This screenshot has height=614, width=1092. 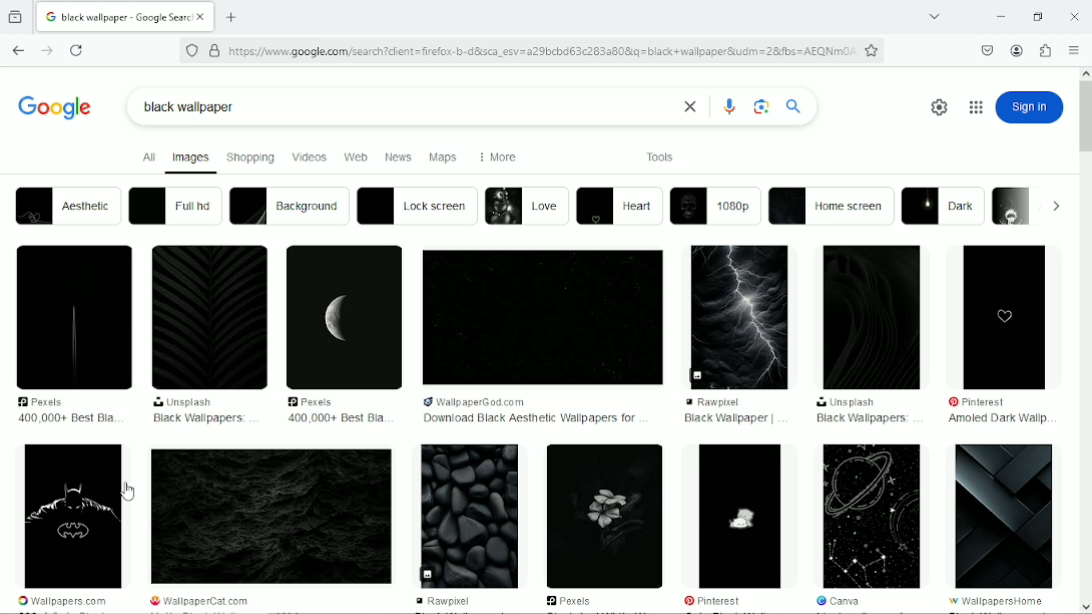 What do you see at coordinates (1085, 71) in the screenshot?
I see `scroll up` at bounding box center [1085, 71].